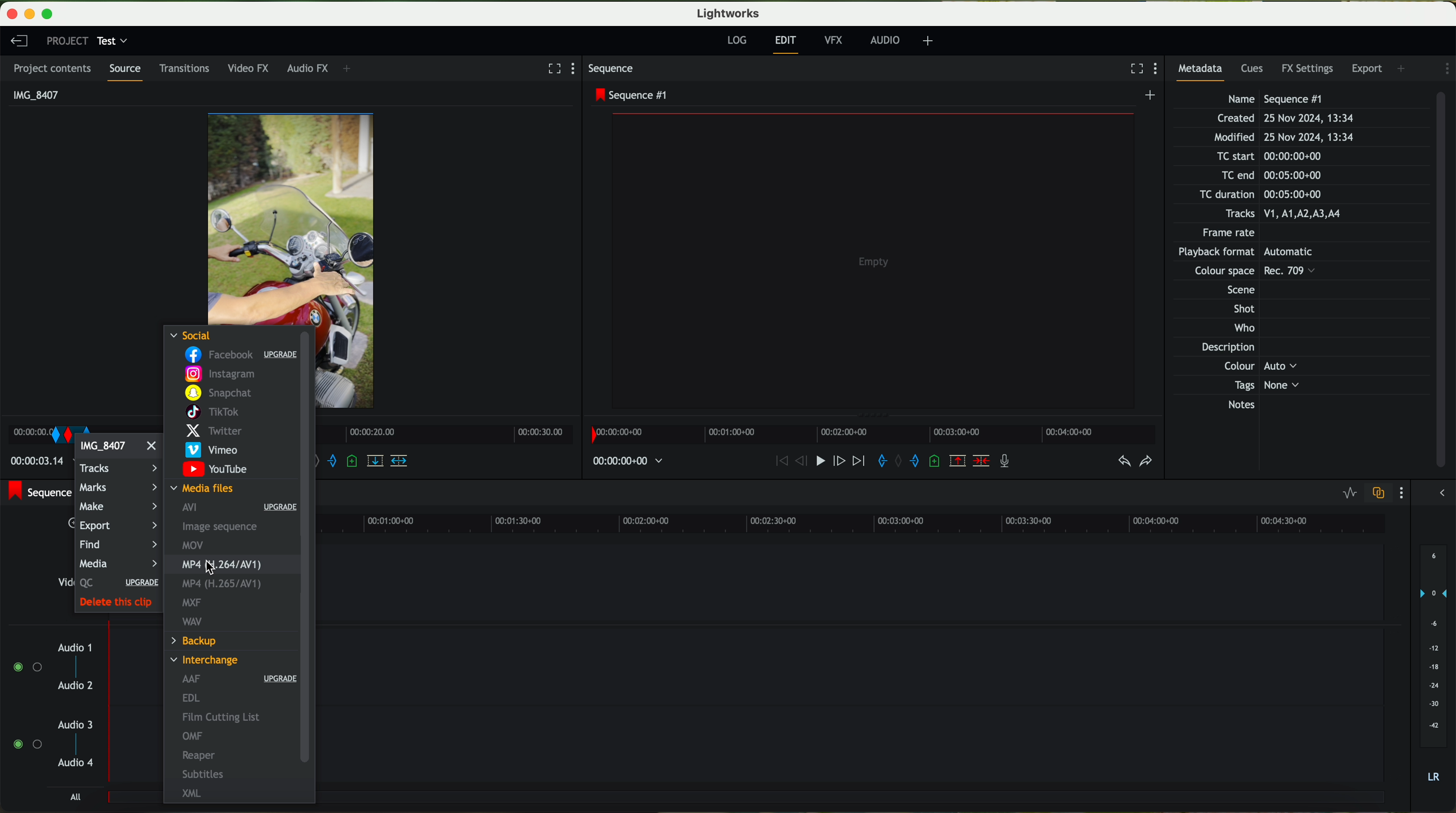 The height and width of the screenshot is (813, 1456). Describe the element at coordinates (116, 583) in the screenshot. I see `upgrade QC` at that location.